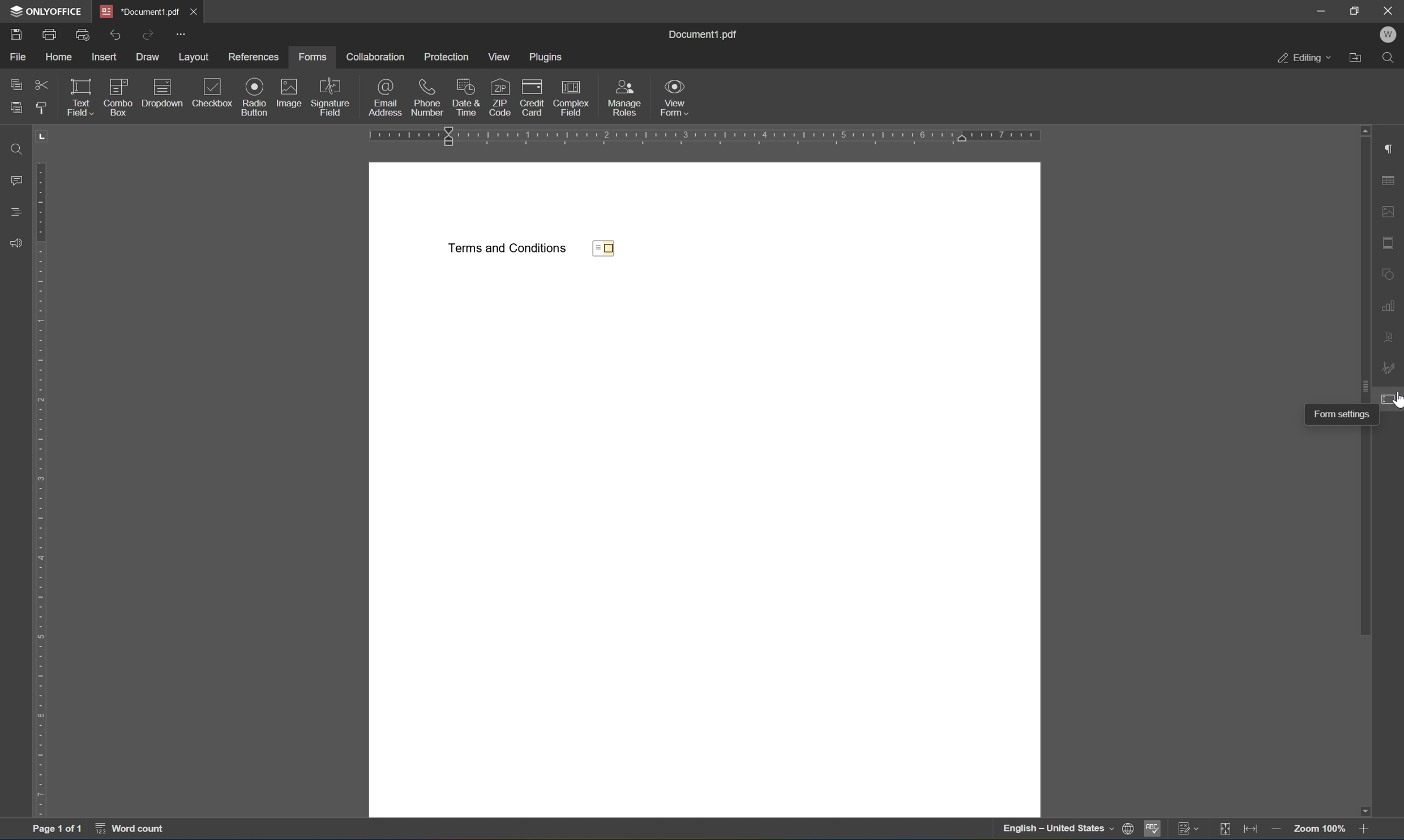 The image size is (1404, 840). I want to click on open file location, so click(1356, 58).